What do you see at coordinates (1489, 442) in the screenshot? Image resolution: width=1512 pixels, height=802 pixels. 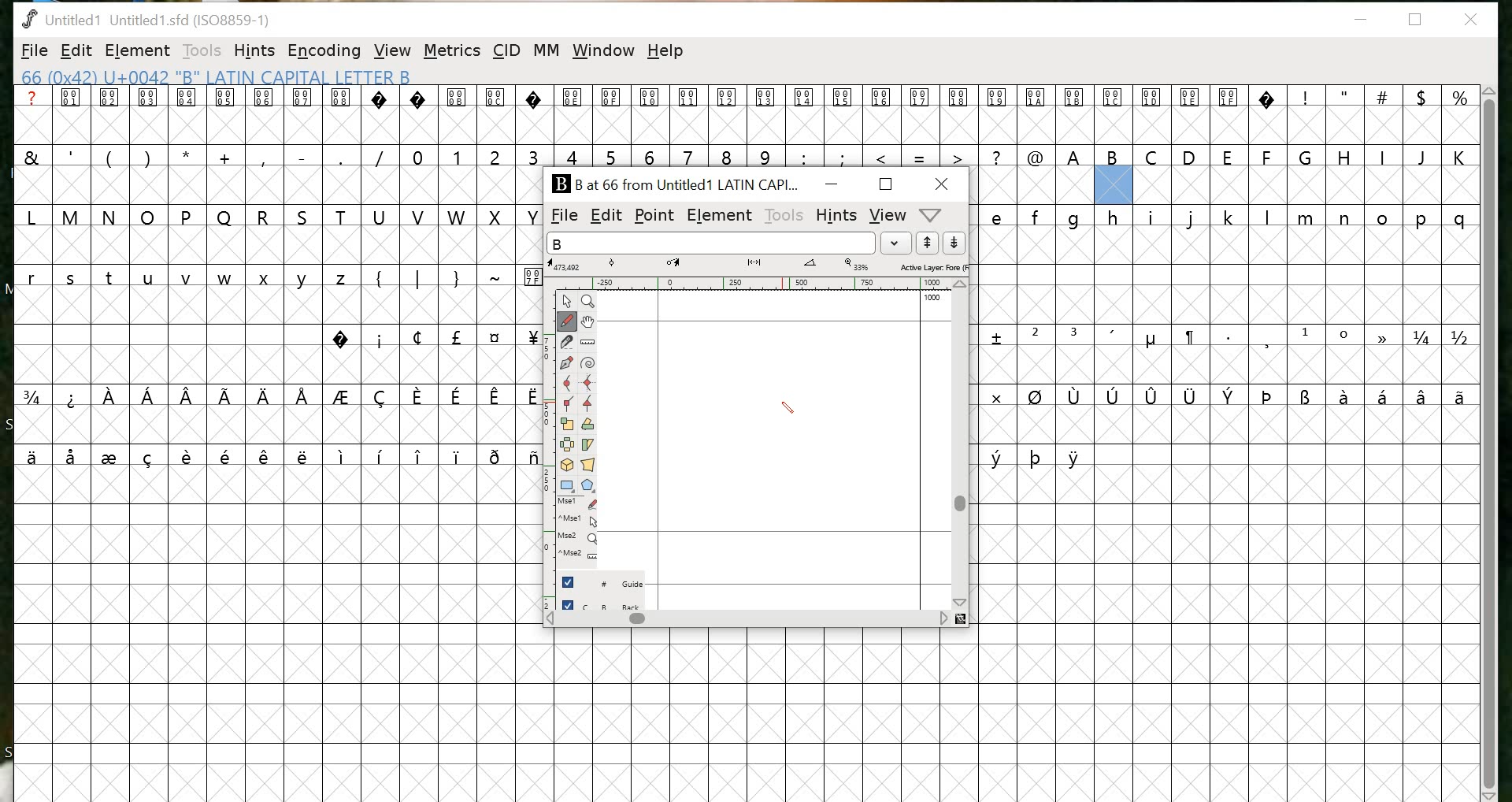 I see `scrollbar` at bounding box center [1489, 442].